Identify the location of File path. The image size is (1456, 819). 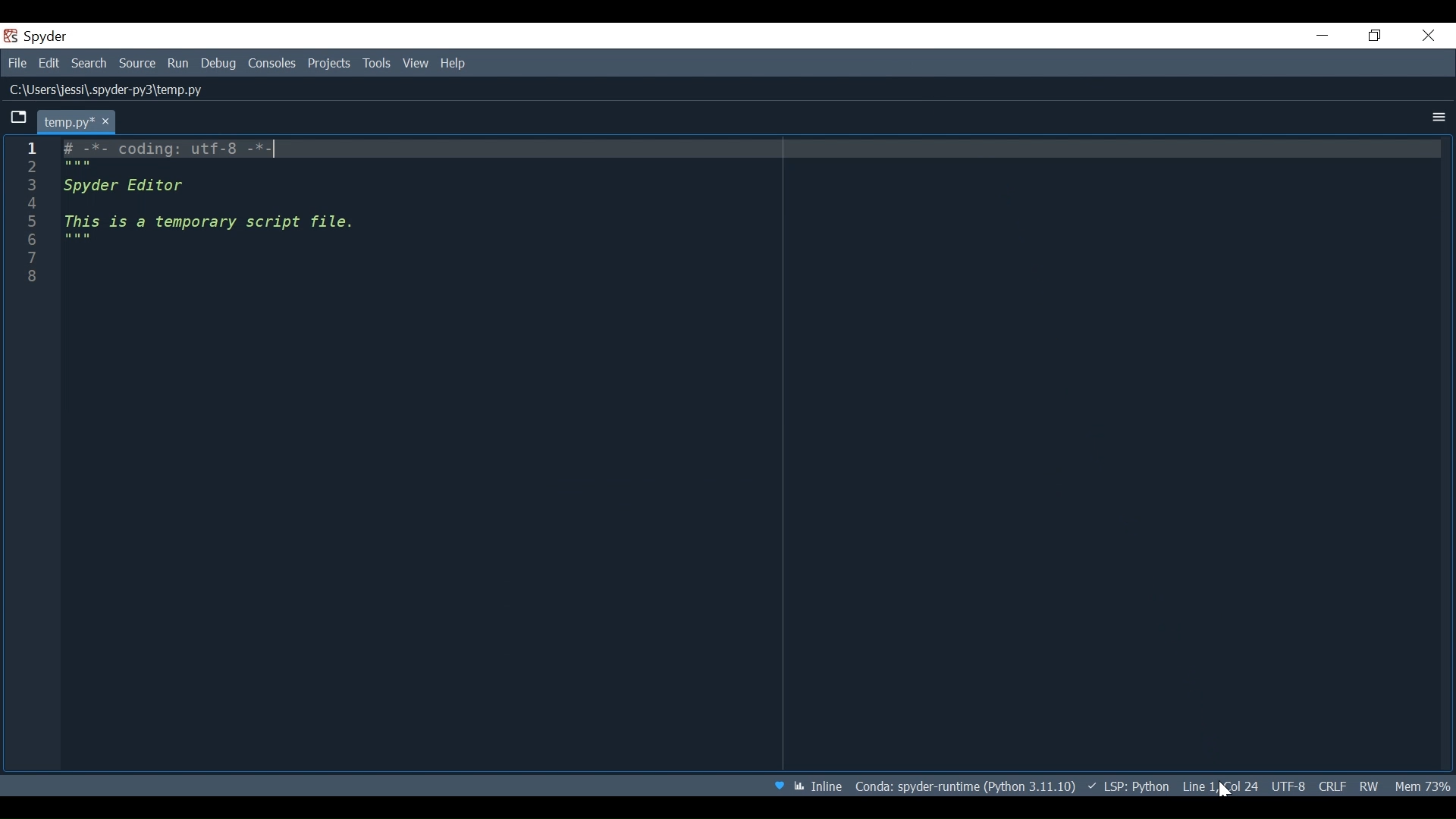
(963, 786).